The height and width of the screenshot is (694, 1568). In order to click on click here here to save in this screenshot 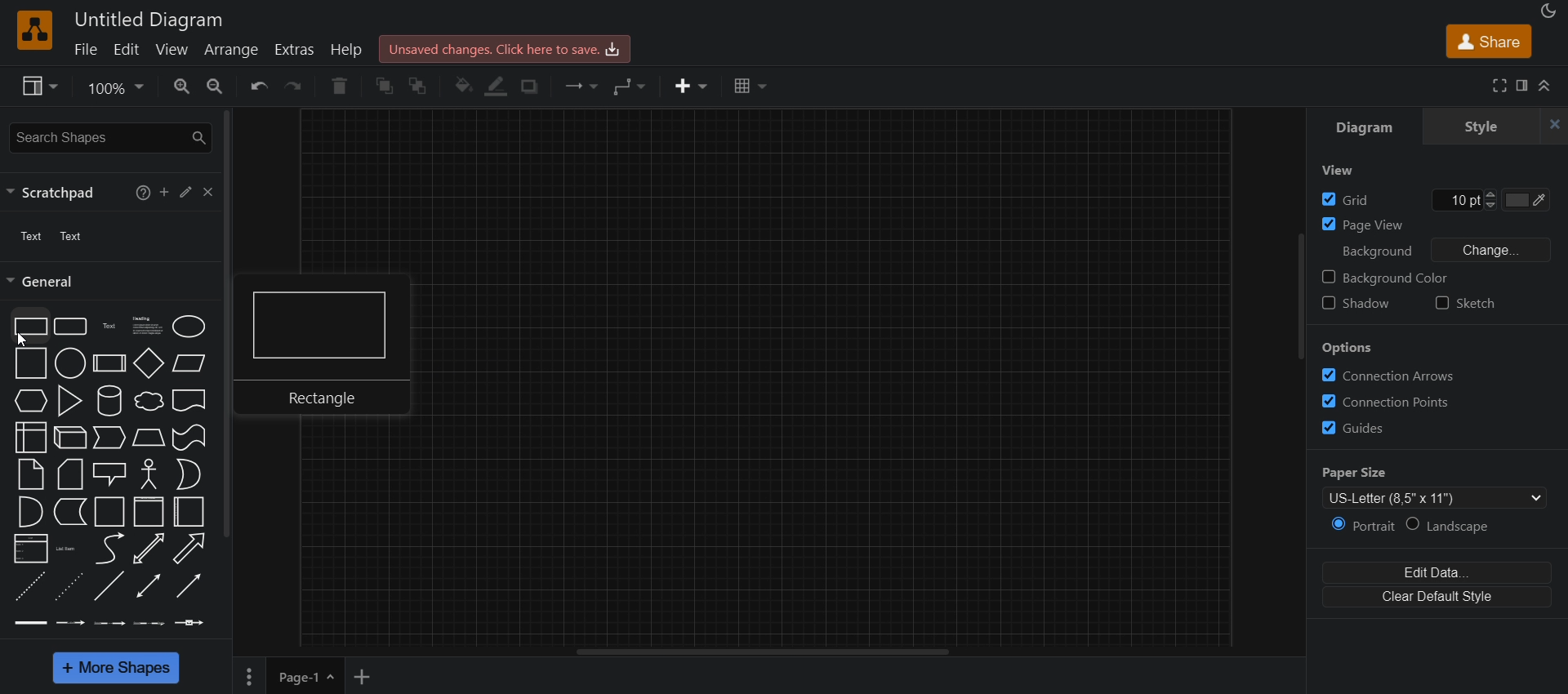, I will do `click(506, 49)`.